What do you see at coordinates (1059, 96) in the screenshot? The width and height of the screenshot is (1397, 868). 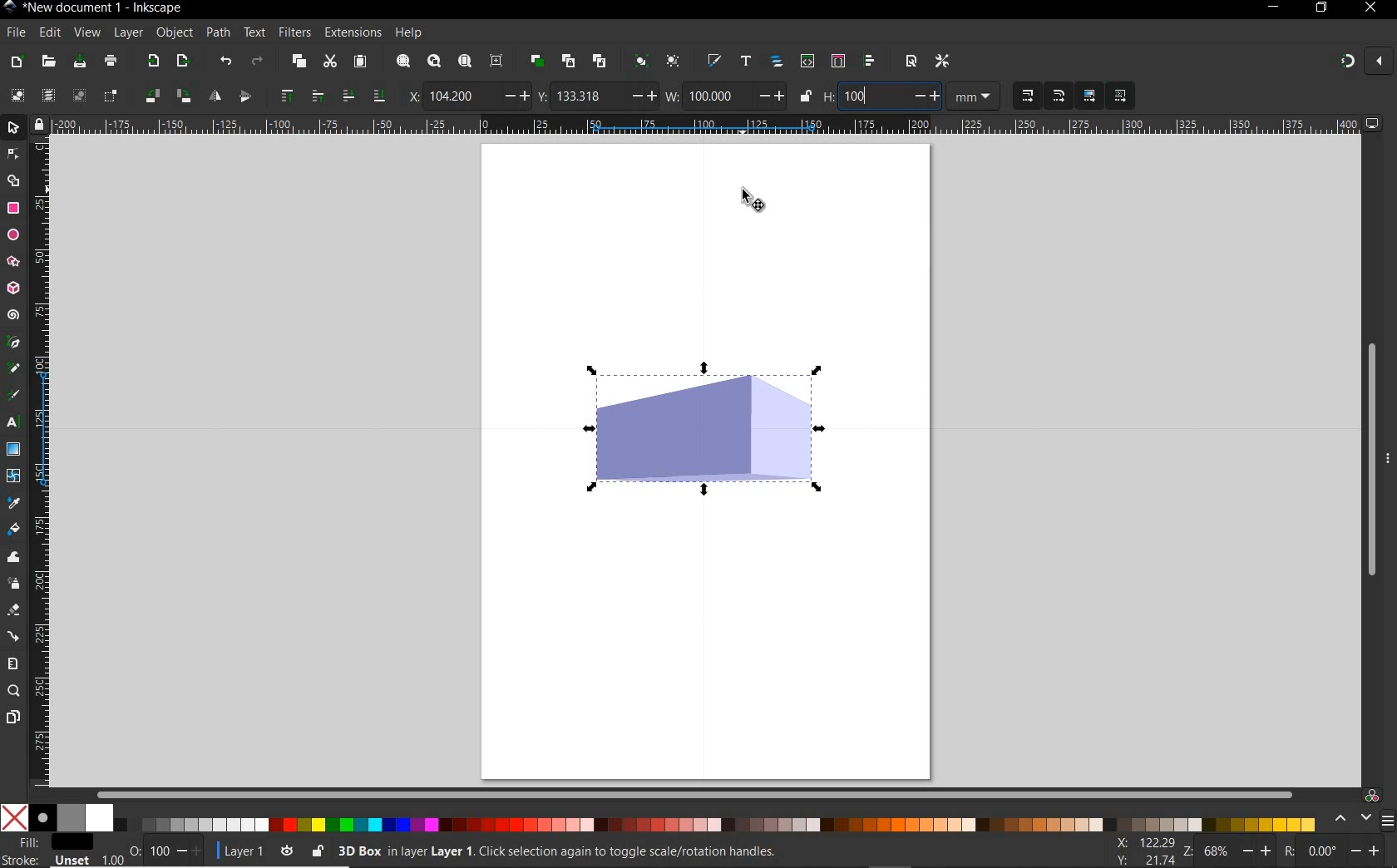 I see `when scaling` at bounding box center [1059, 96].